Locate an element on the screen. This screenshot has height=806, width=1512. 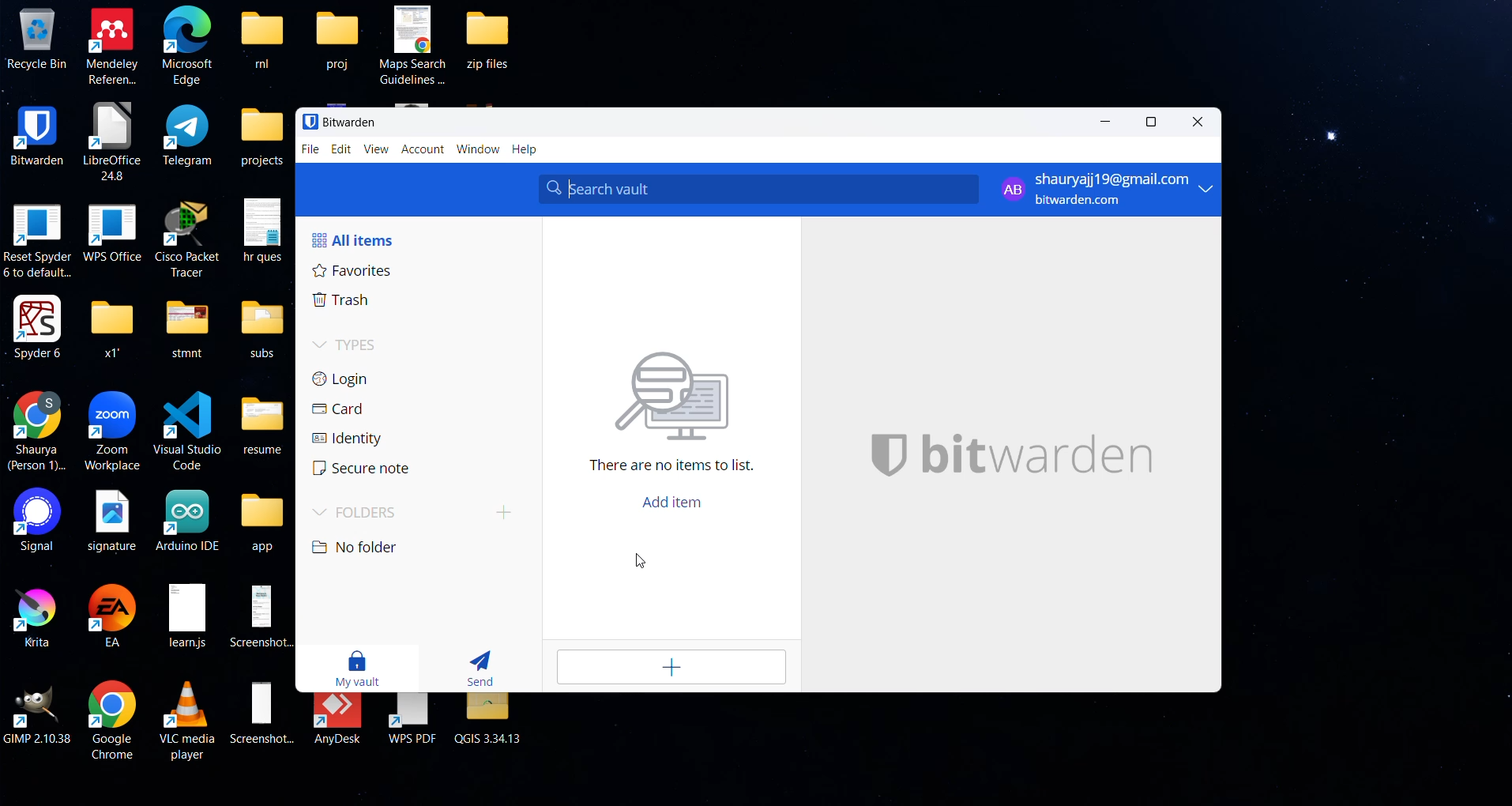
Krita is located at coordinates (32, 615).